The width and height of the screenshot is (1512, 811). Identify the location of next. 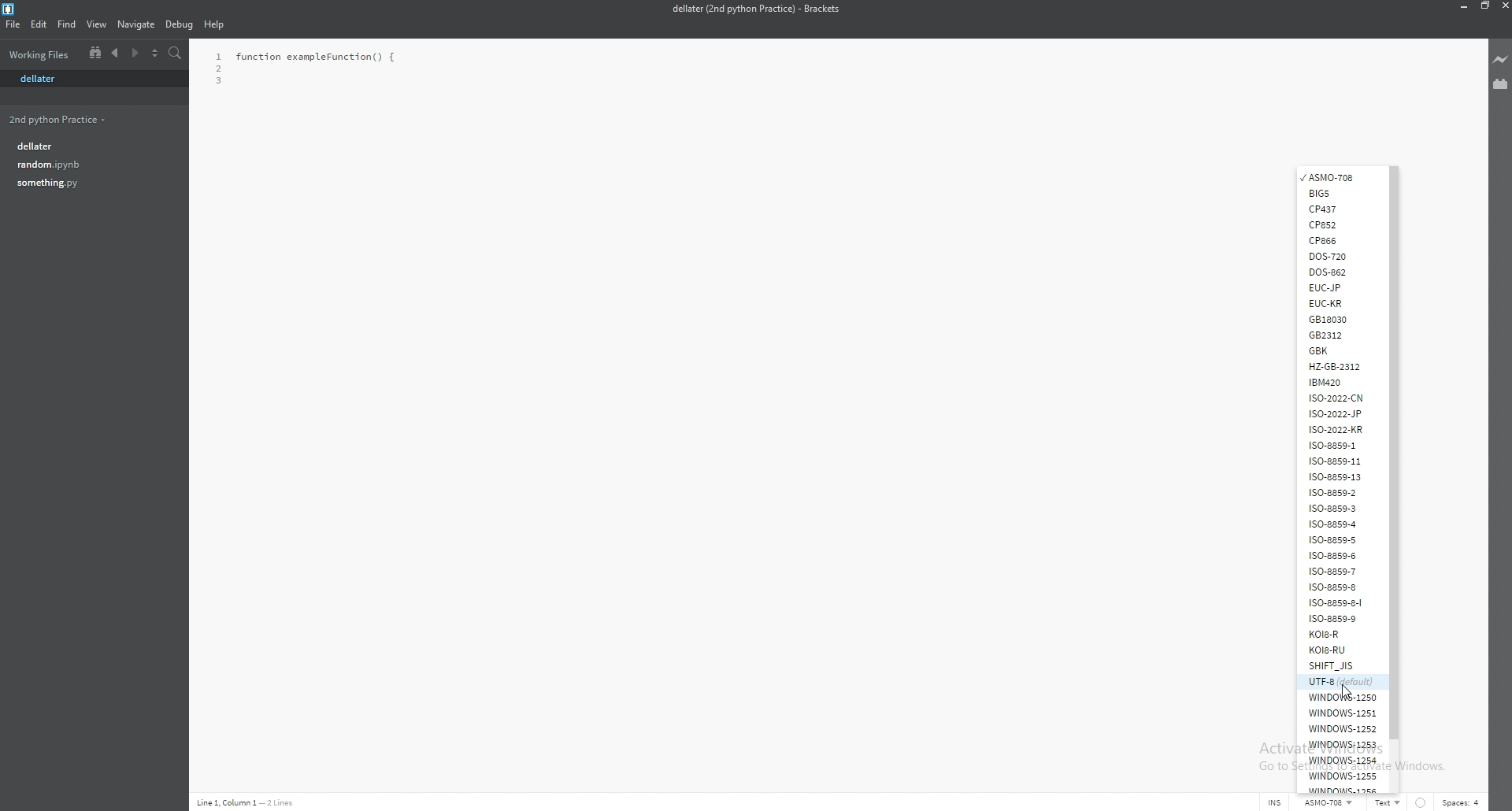
(135, 54).